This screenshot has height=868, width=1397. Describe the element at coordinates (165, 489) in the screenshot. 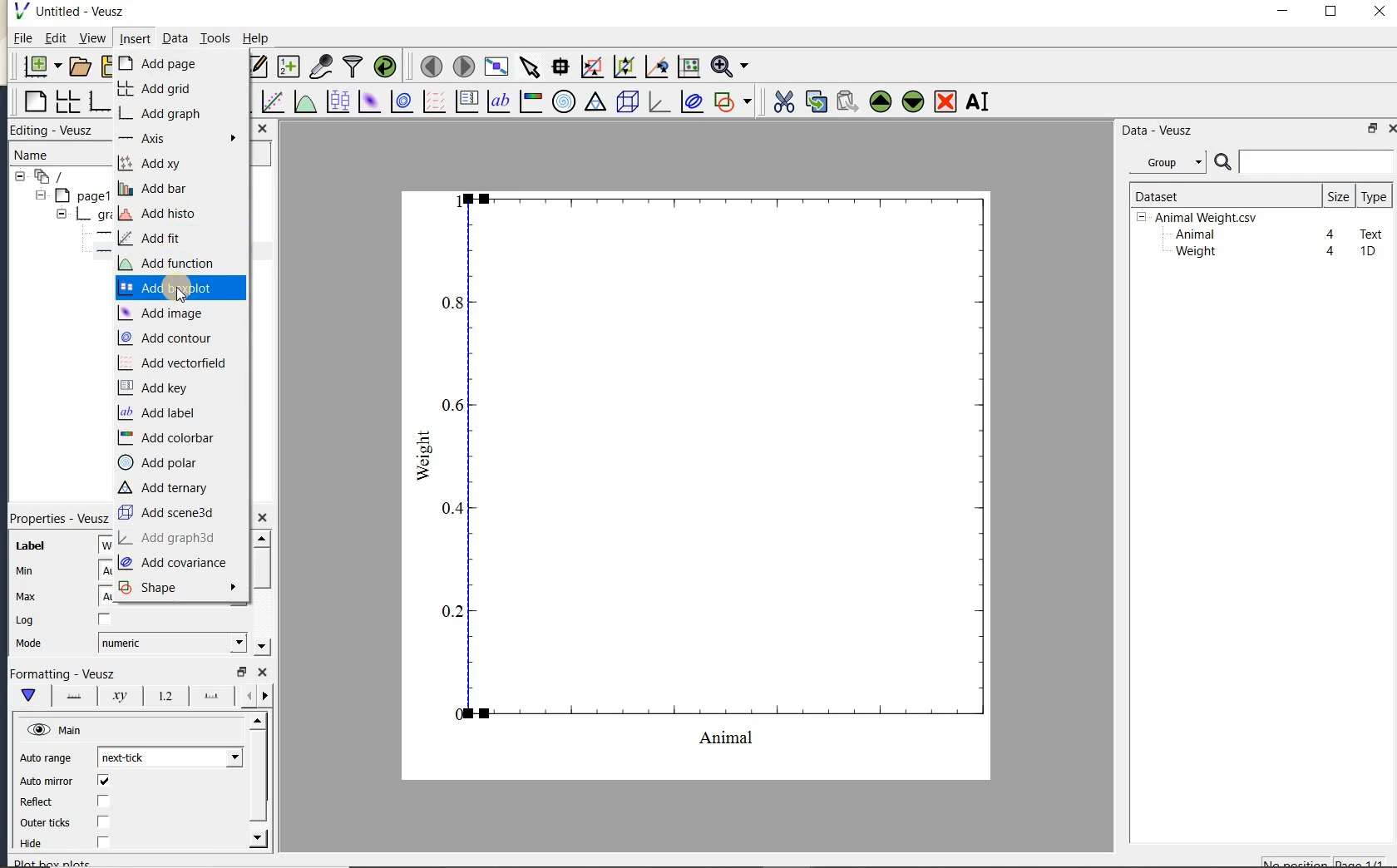

I see `add ternary` at that location.